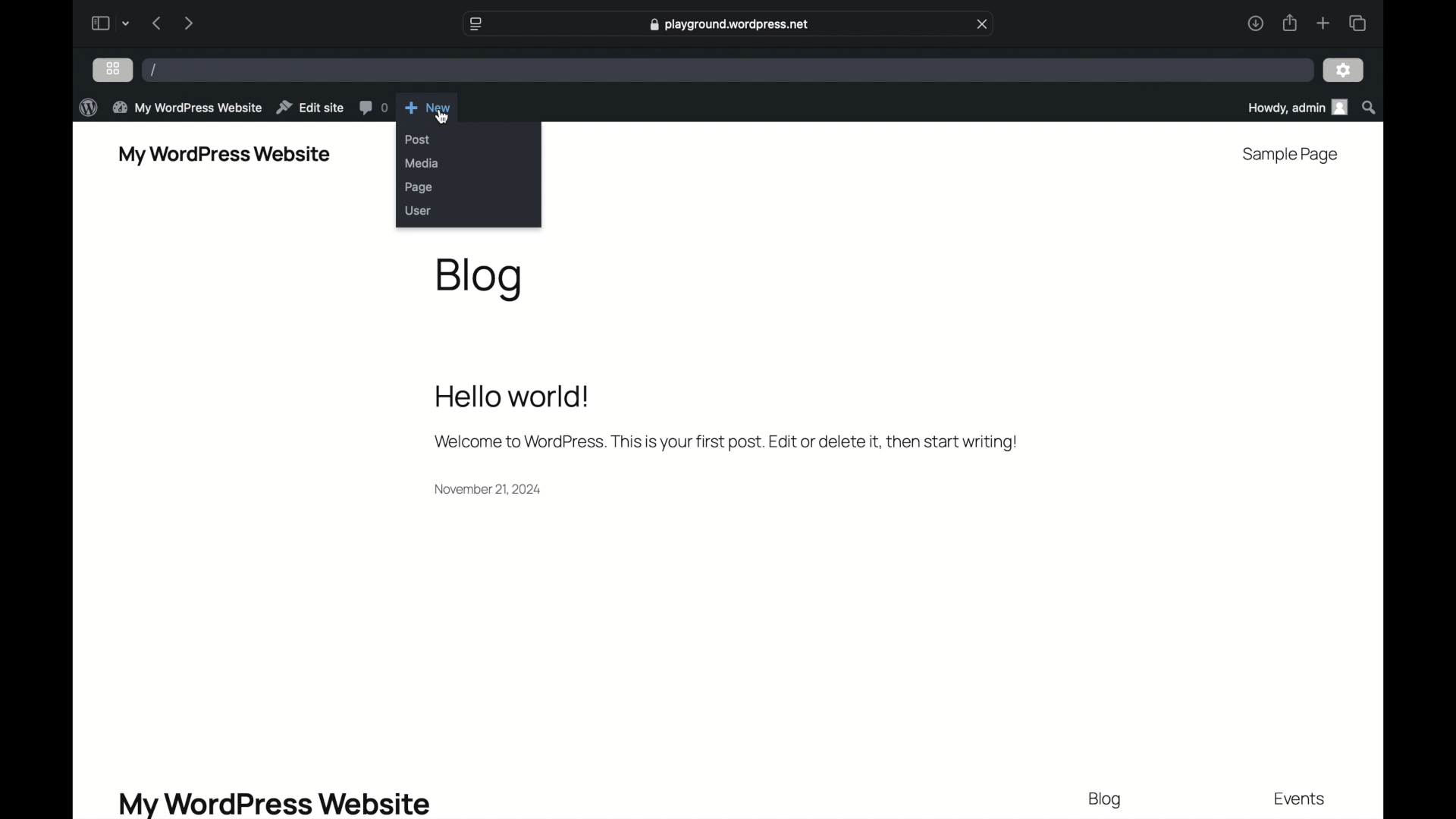 This screenshot has width=1456, height=819. I want to click on show tab overview, so click(1357, 24).